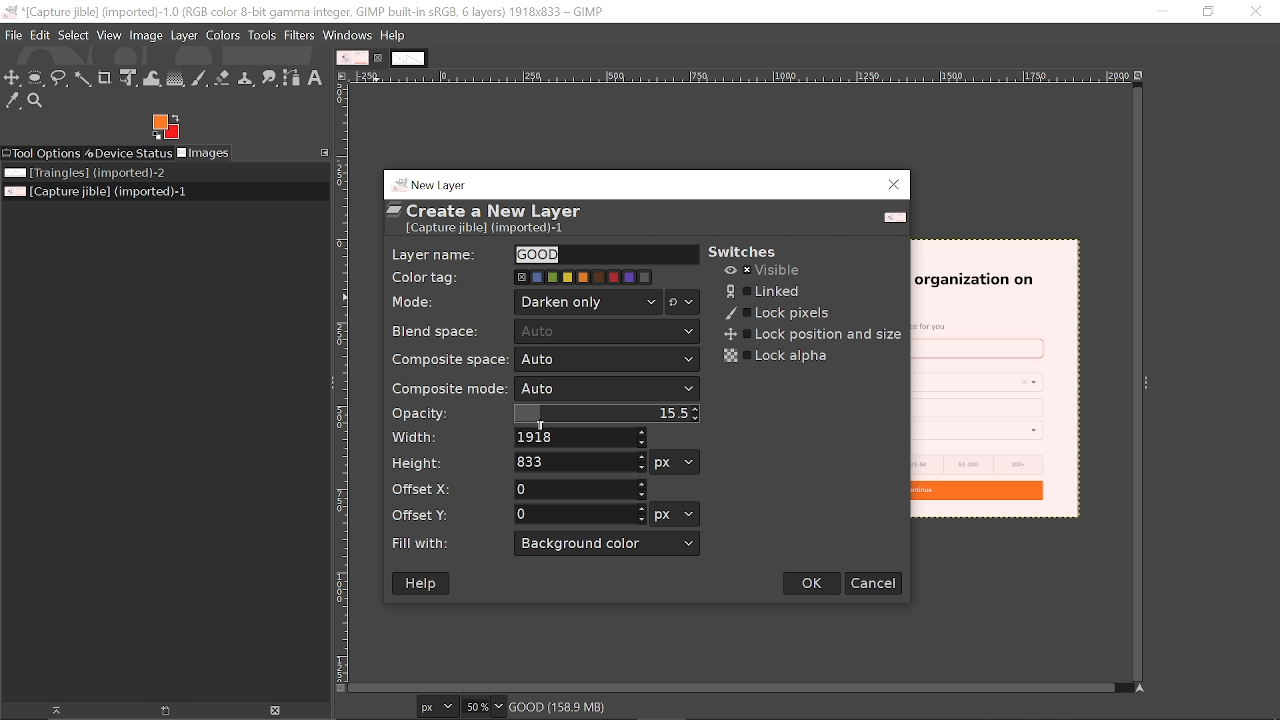  Describe the element at coordinates (765, 291) in the screenshot. I see `Linked` at that location.